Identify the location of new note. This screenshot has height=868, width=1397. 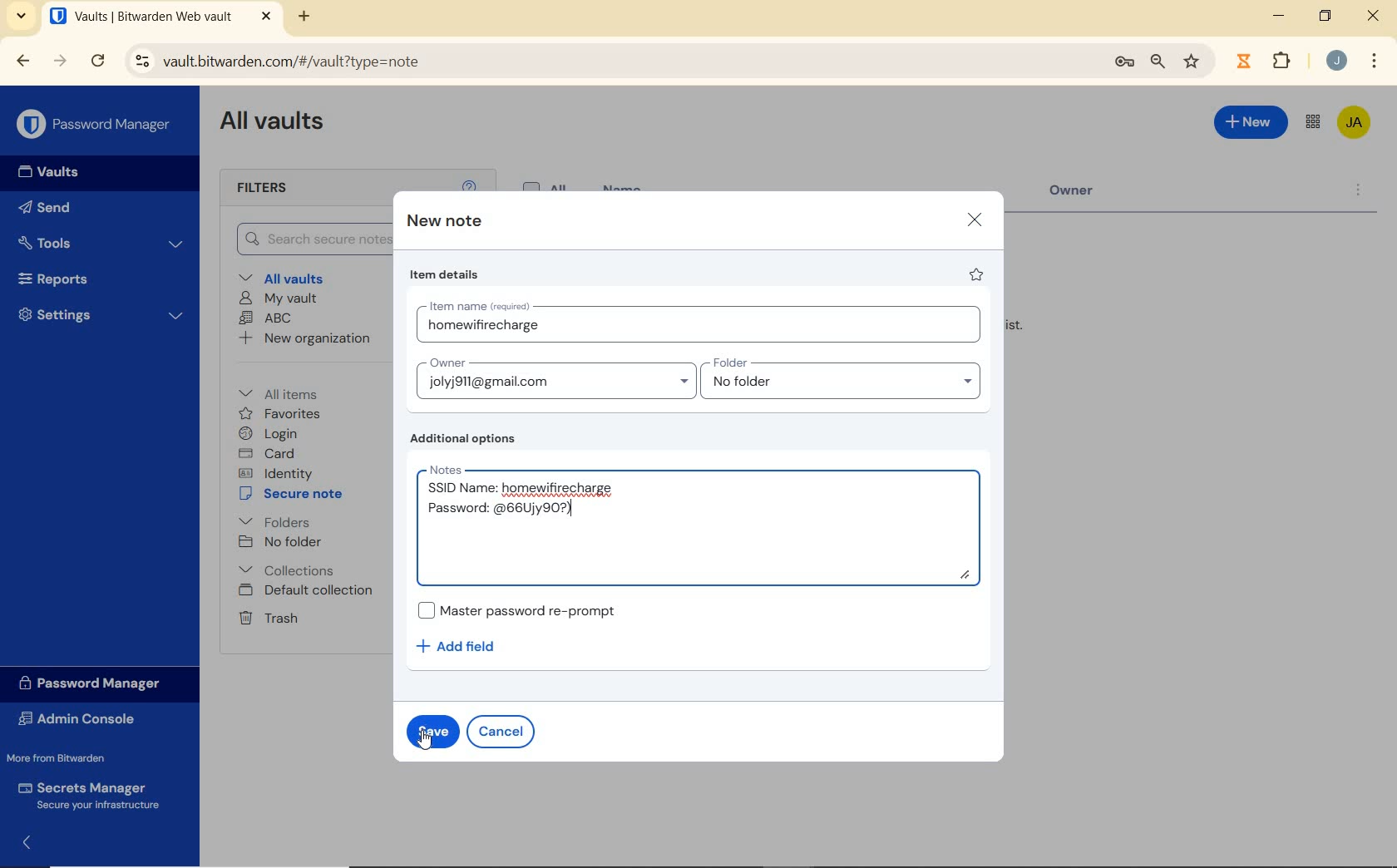
(442, 221).